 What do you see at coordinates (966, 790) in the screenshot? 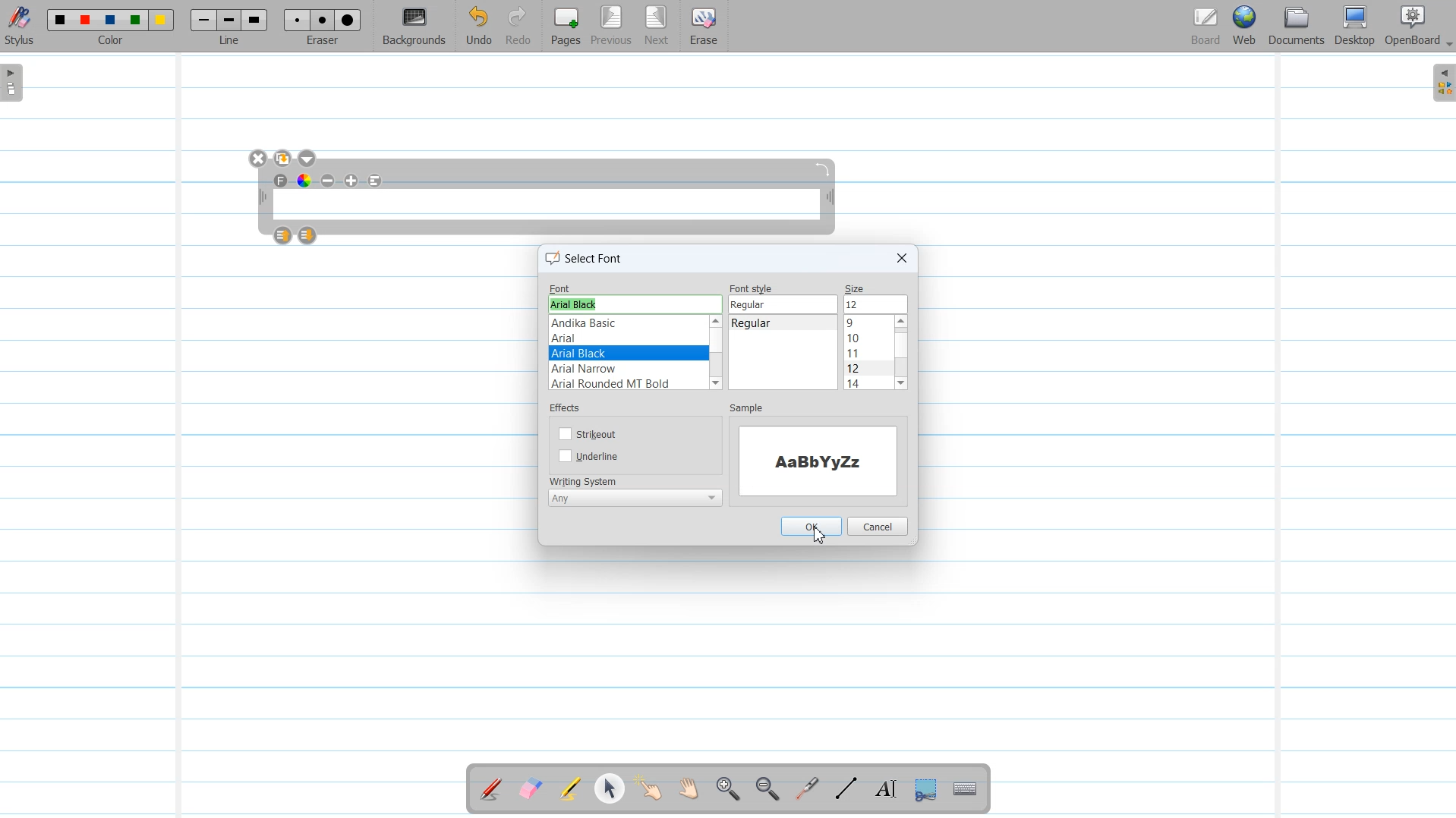
I see `Display virtual Keyboard` at bounding box center [966, 790].